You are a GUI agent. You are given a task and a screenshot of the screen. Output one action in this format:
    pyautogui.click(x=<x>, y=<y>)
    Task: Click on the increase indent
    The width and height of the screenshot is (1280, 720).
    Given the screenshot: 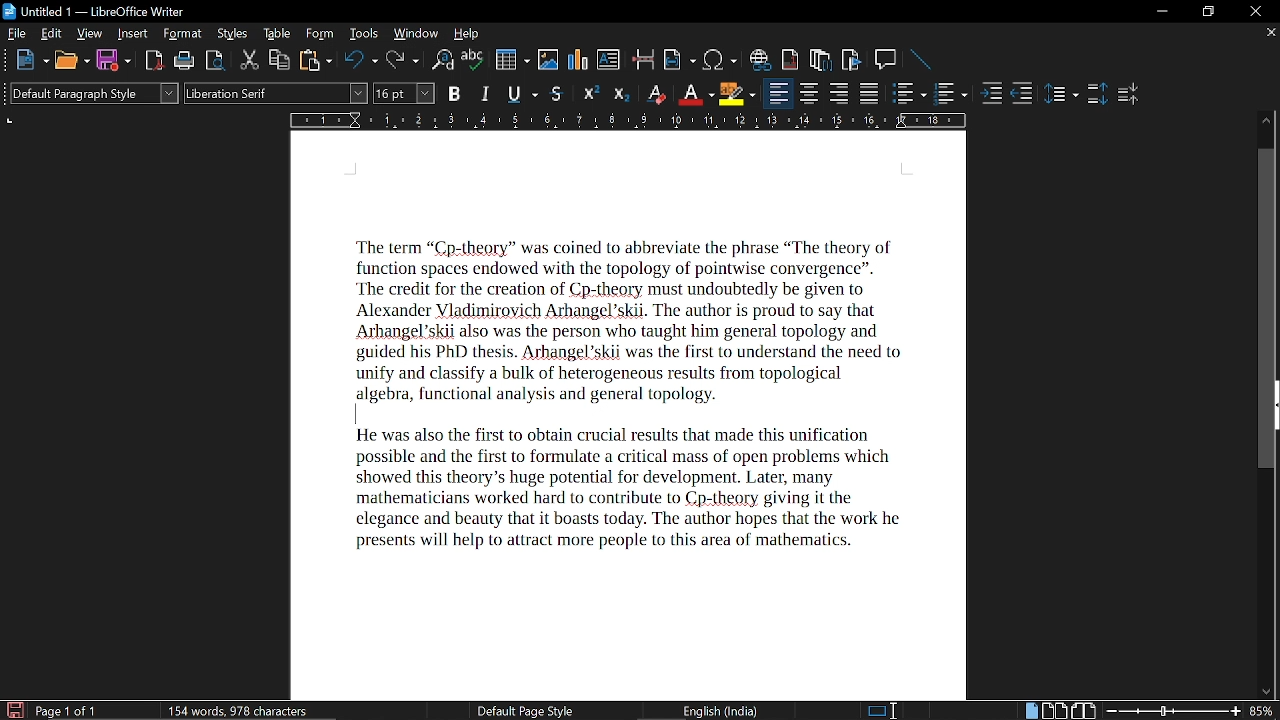 What is the action you would take?
    pyautogui.click(x=994, y=92)
    